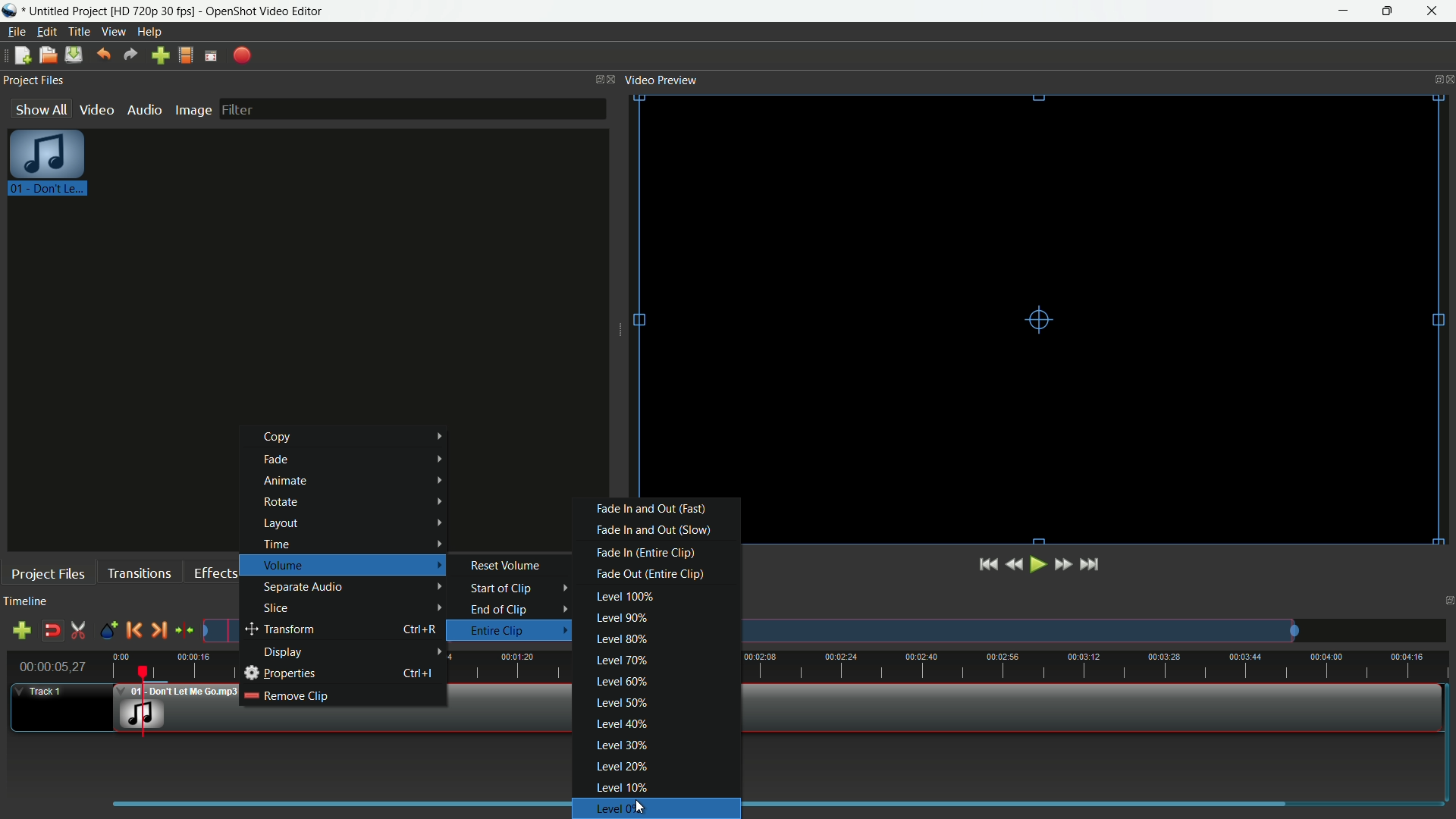 This screenshot has height=819, width=1456. Describe the element at coordinates (643, 552) in the screenshot. I see `fade in entire clip` at that location.